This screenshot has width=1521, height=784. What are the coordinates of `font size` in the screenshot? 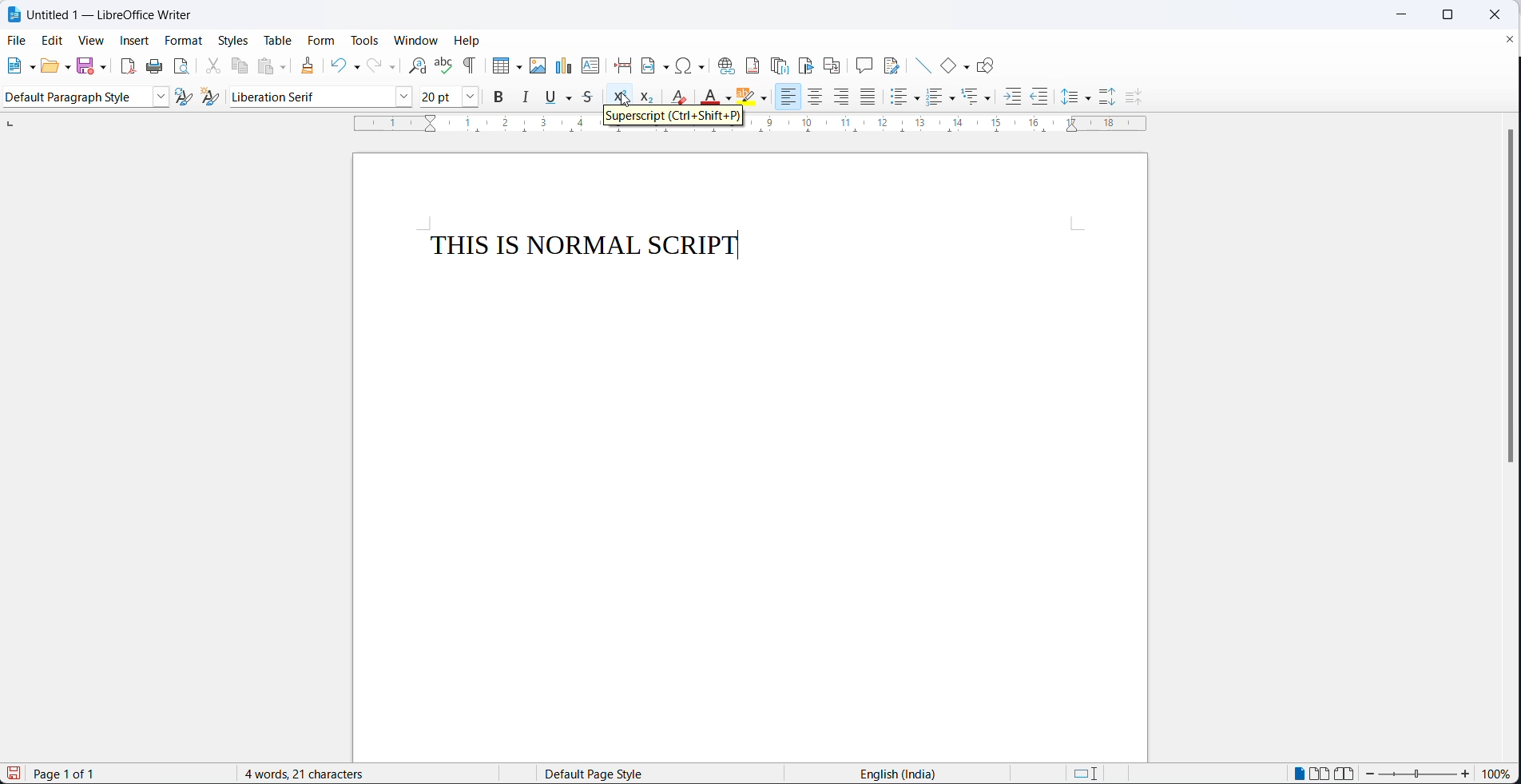 It's located at (441, 96).